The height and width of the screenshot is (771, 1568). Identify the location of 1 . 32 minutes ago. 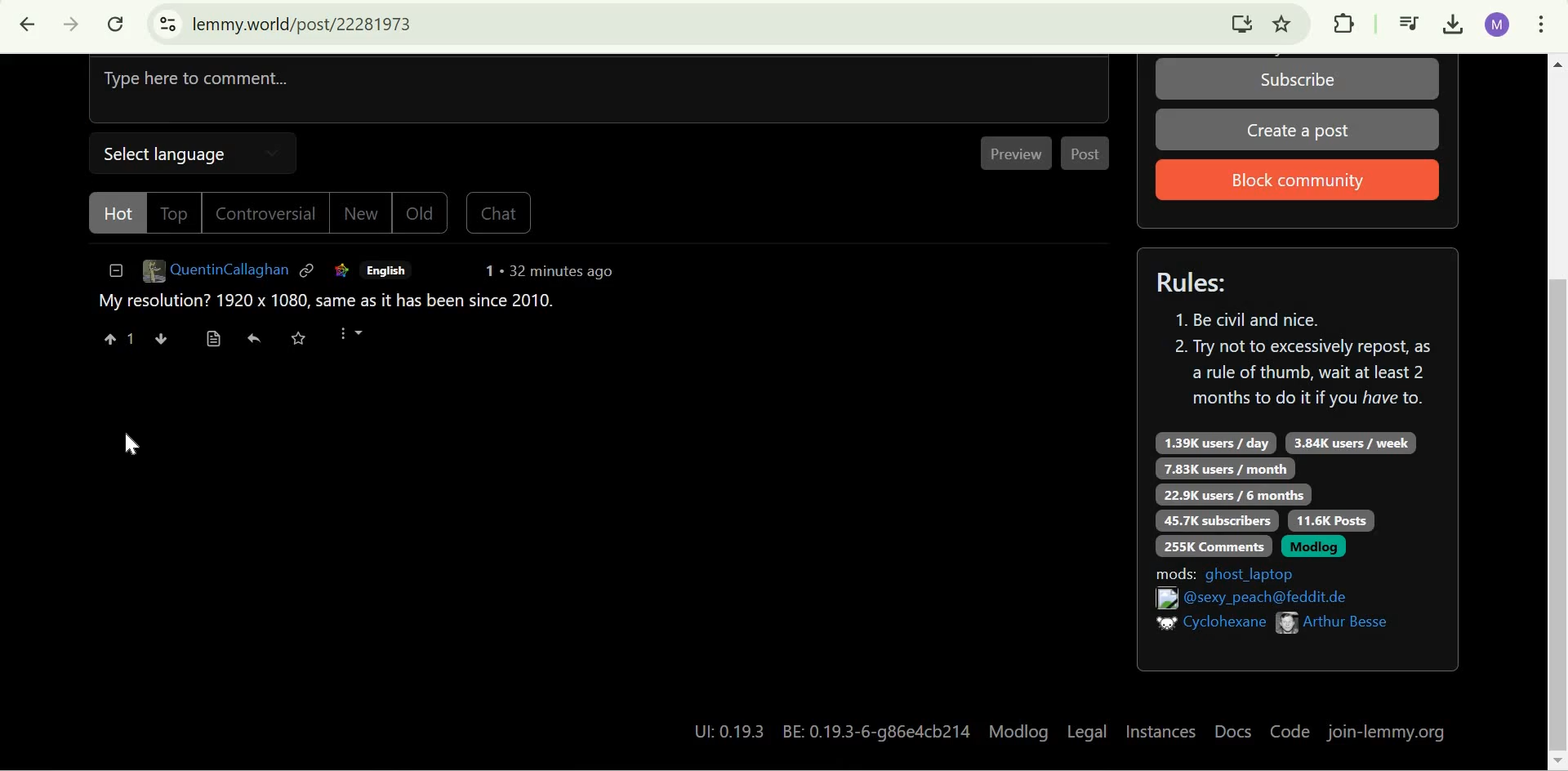
(563, 272).